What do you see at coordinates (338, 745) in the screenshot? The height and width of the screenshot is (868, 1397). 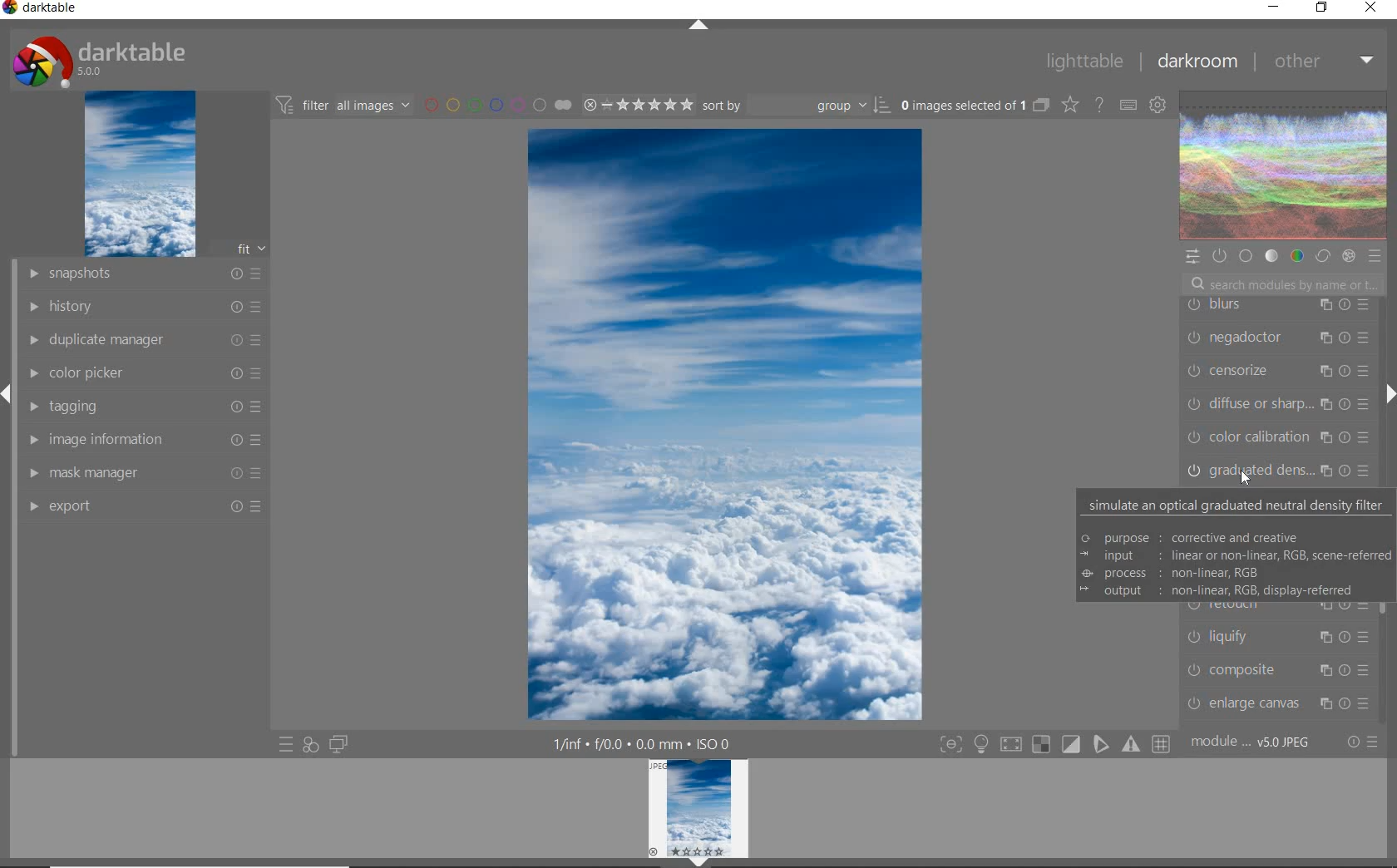 I see `DISPLAY A SECOND DARKROOM DISPLAY` at bounding box center [338, 745].